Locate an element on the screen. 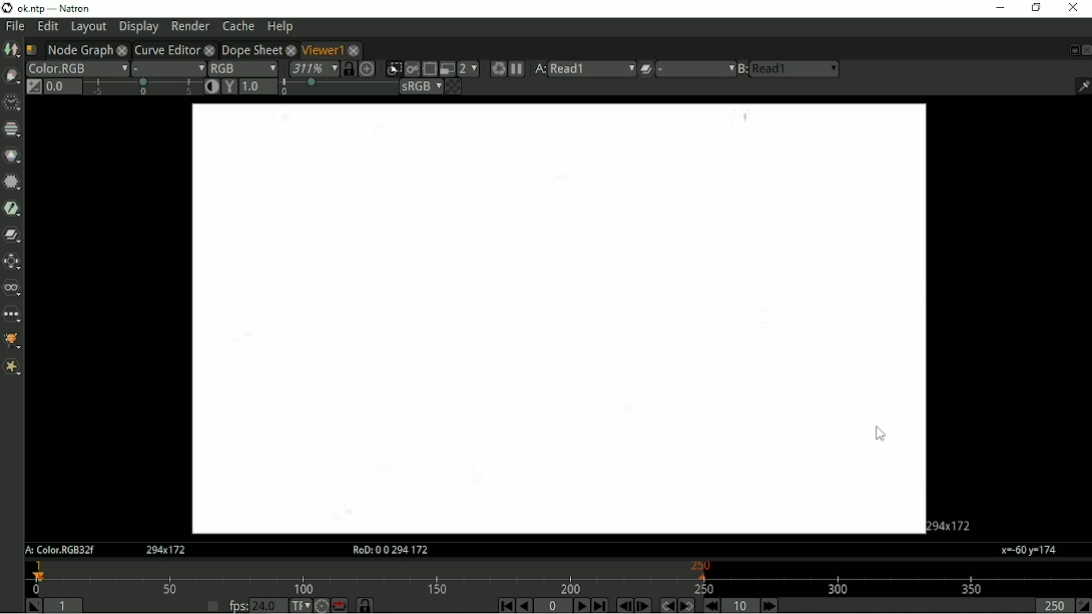 The height and width of the screenshot is (614, 1092). close is located at coordinates (355, 51).